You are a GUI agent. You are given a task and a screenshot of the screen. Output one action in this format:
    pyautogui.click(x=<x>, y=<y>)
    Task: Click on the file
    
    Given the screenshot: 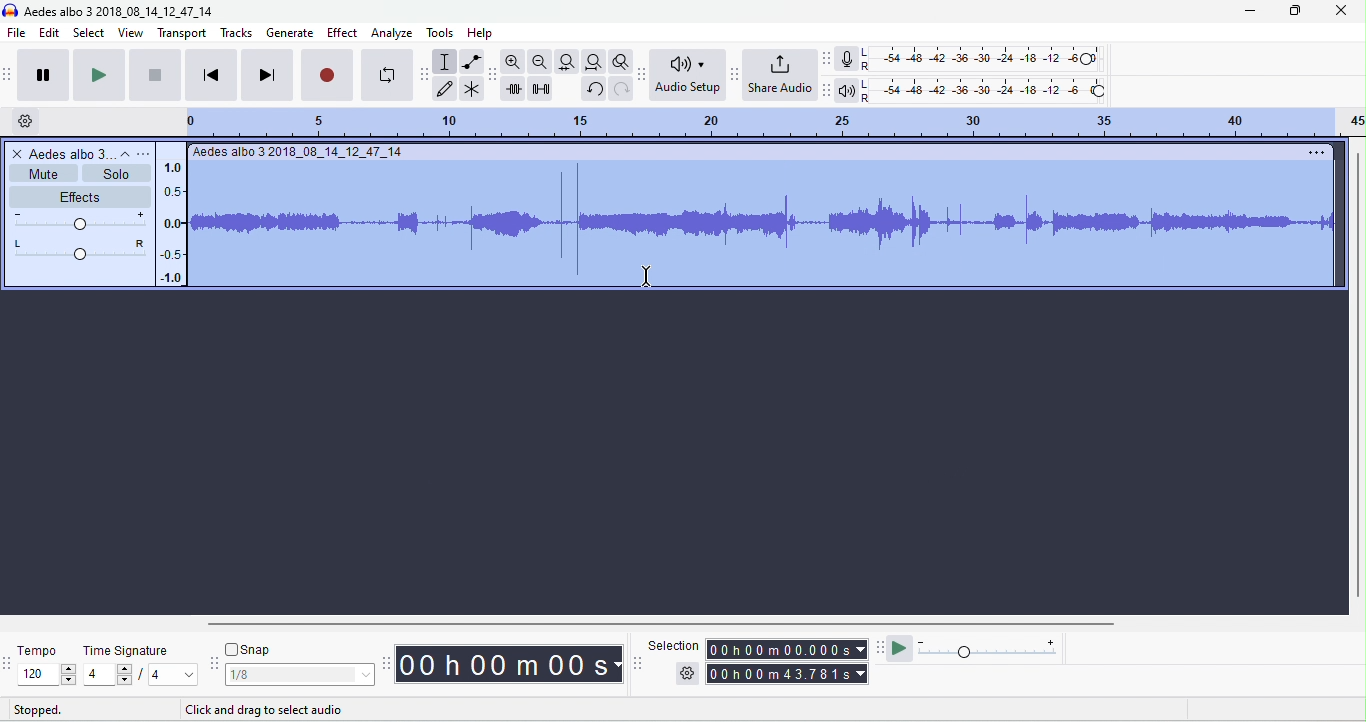 What is the action you would take?
    pyautogui.click(x=16, y=32)
    